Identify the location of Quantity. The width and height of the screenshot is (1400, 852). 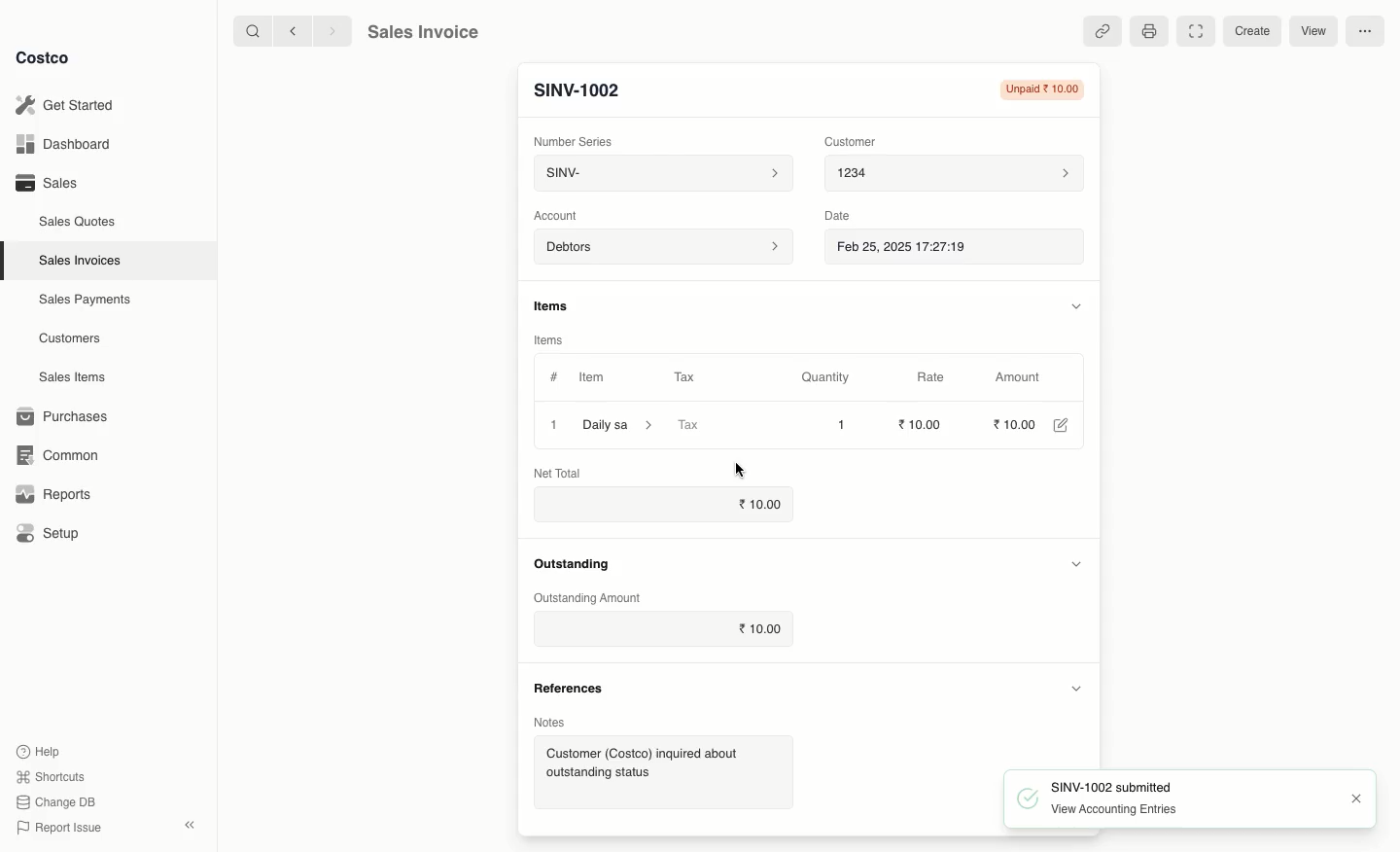
(825, 378).